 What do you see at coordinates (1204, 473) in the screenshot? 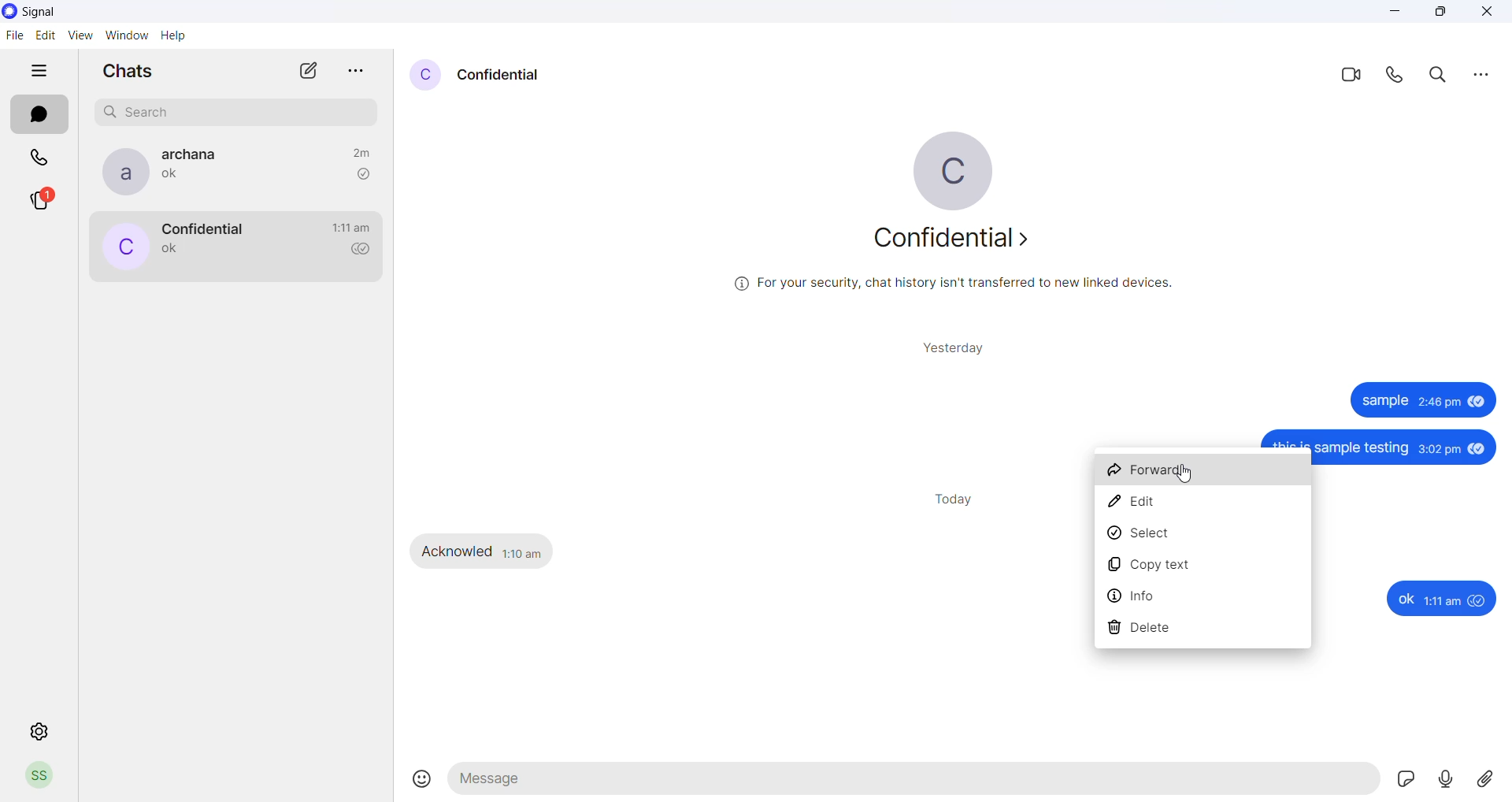
I see `forward` at bounding box center [1204, 473].